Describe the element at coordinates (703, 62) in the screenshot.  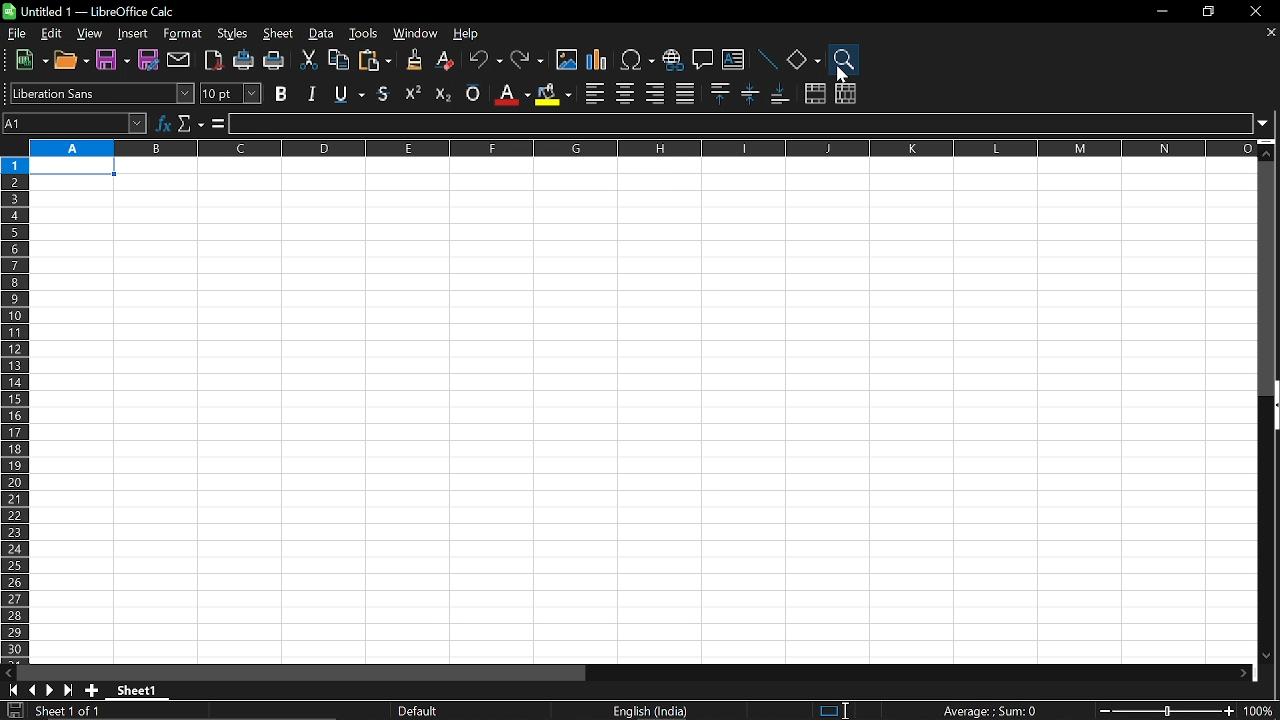
I see `comment` at that location.